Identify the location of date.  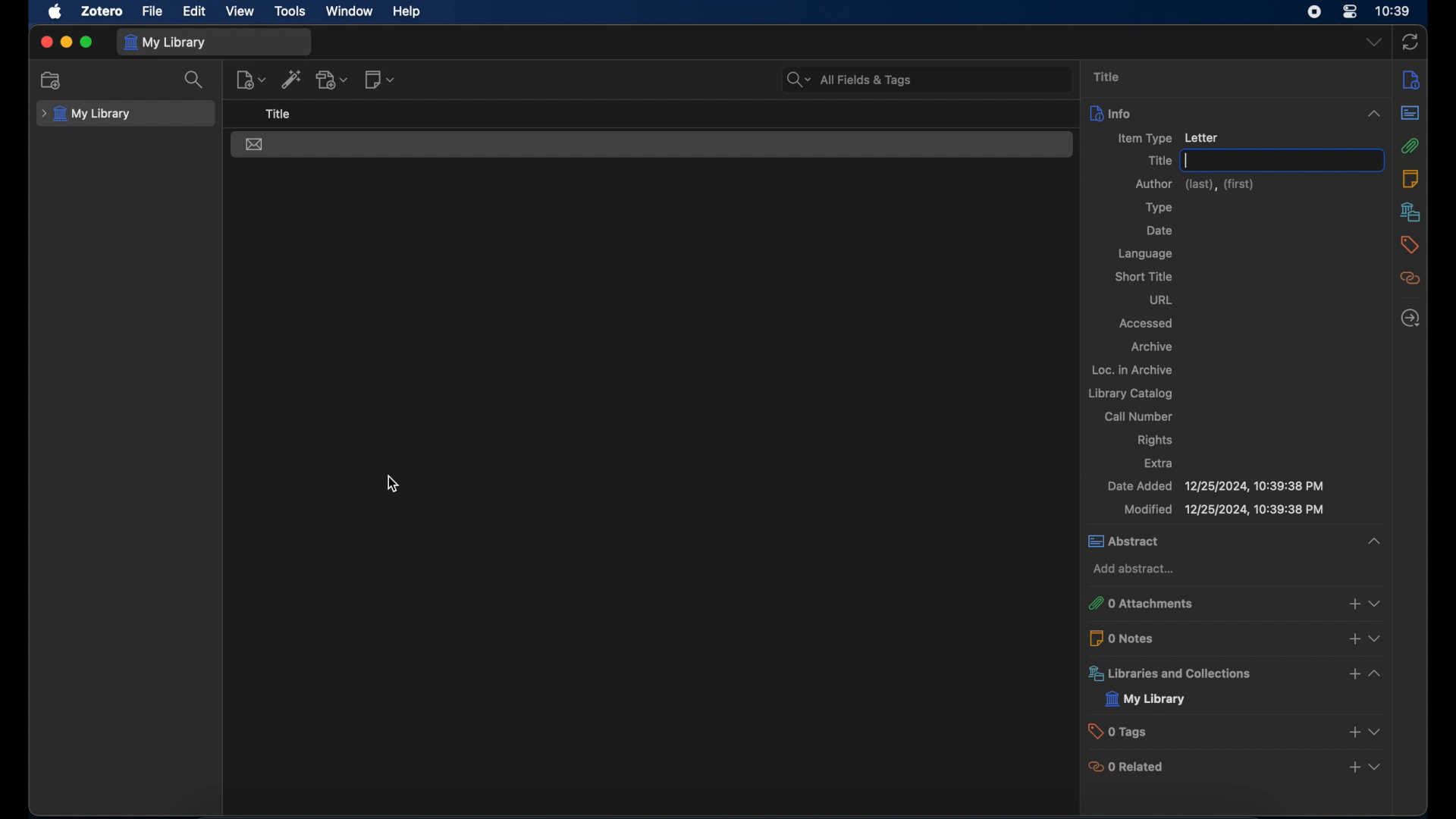
(1160, 231).